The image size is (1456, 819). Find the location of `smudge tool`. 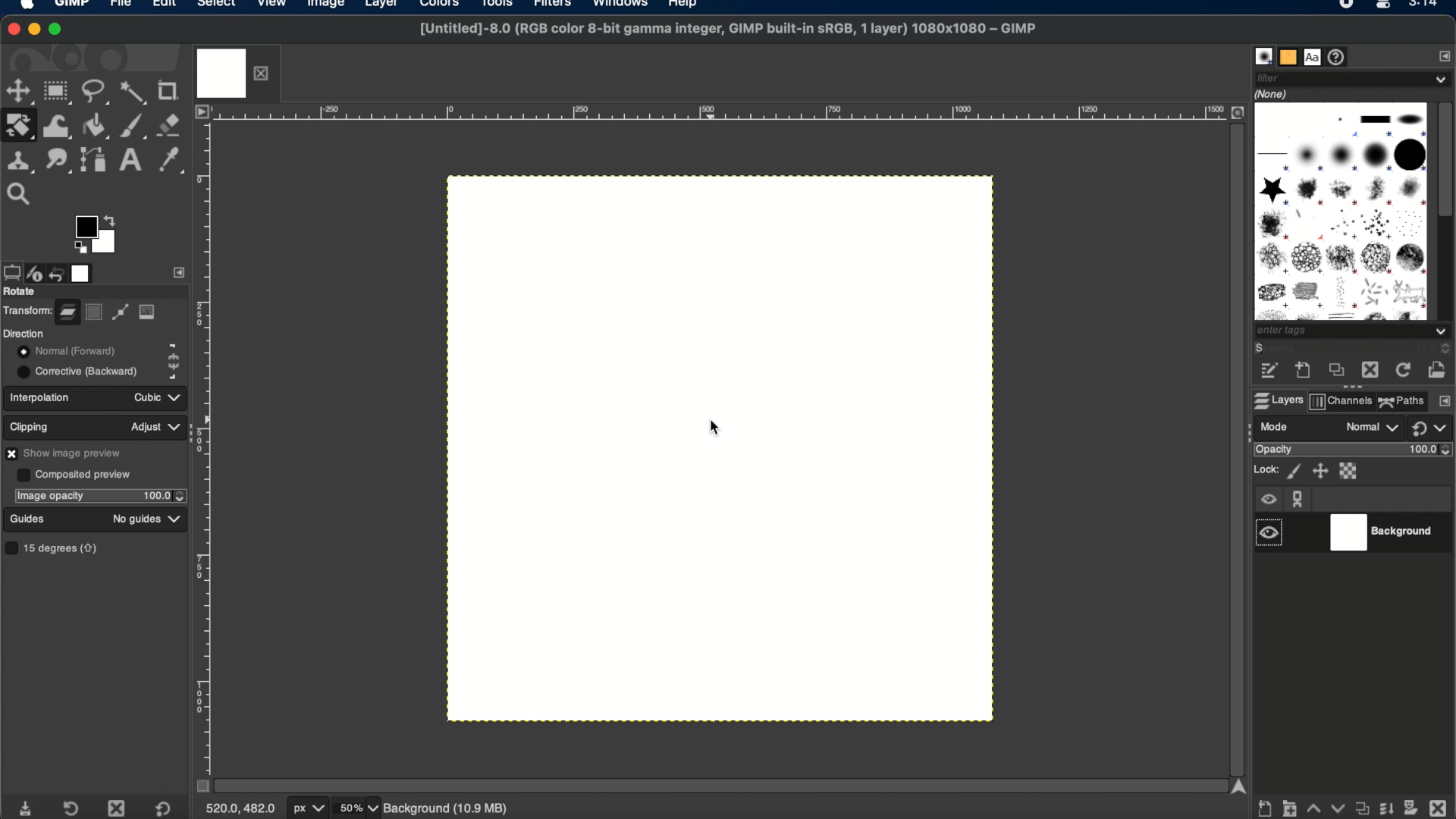

smudge tool is located at coordinates (58, 159).